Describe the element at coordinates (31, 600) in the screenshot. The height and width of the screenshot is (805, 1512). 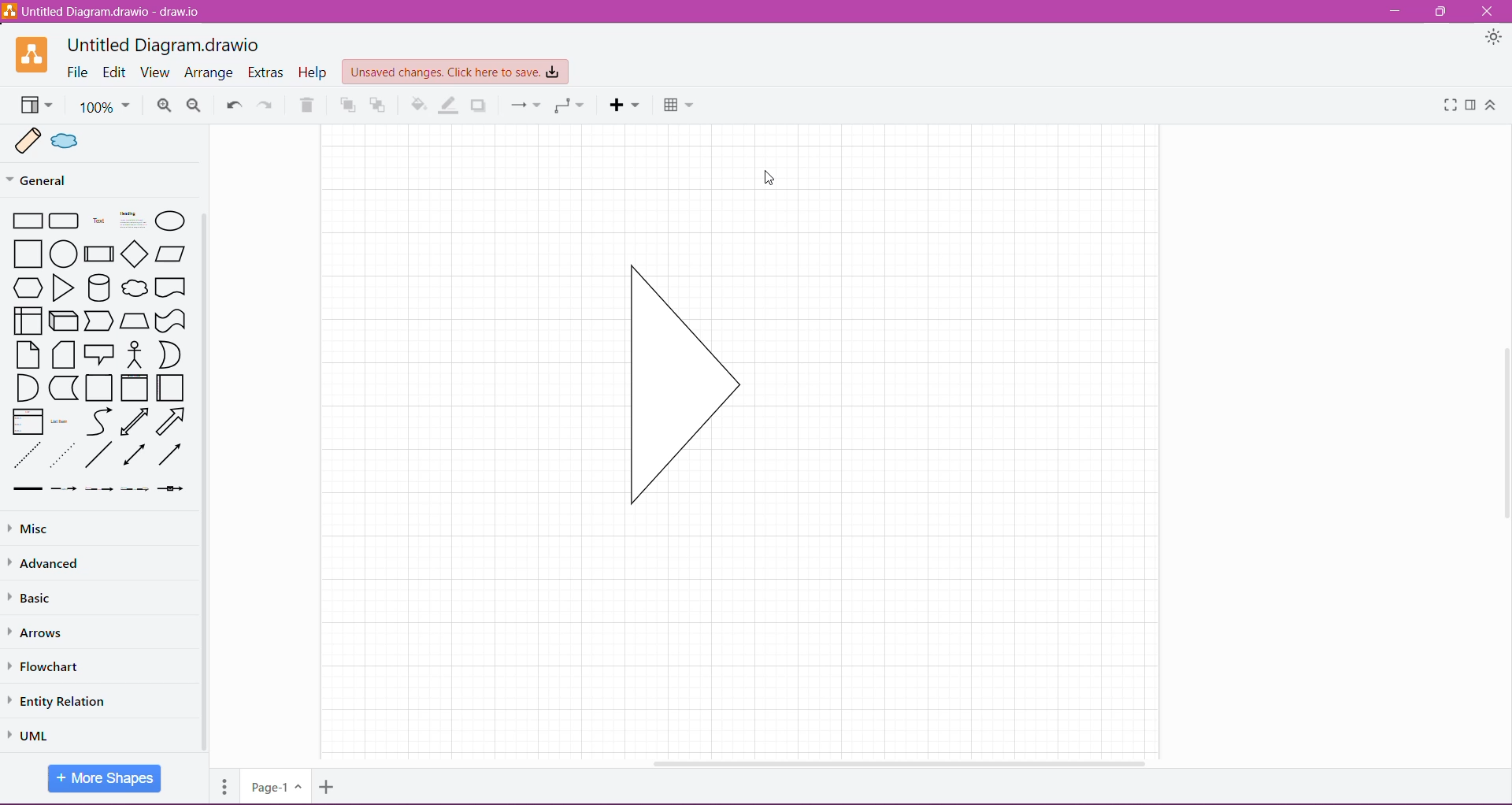
I see `Basic` at that location.